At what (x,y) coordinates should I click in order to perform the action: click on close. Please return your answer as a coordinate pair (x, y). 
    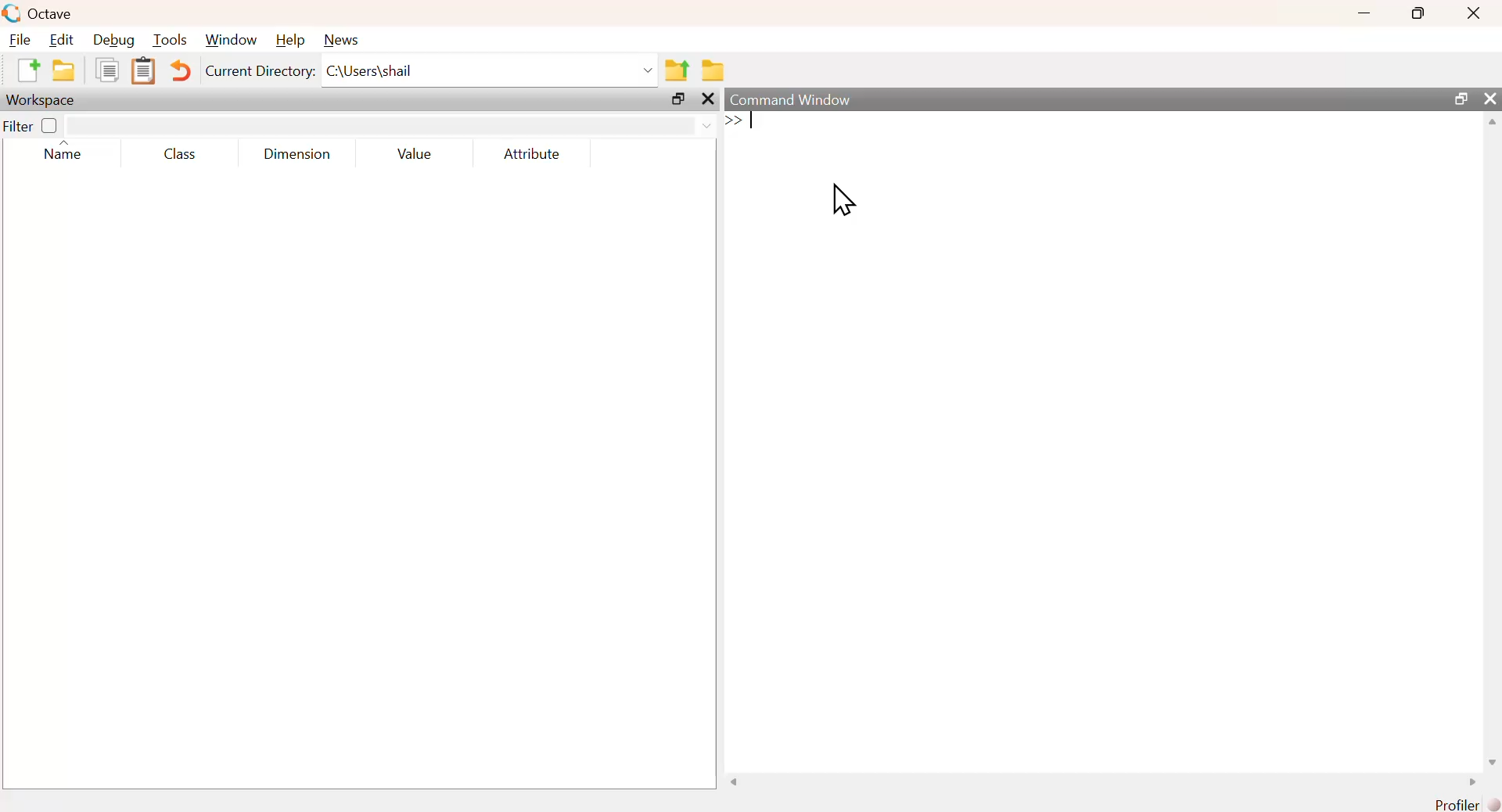
    Looking at the image, I should click on (706, 100).